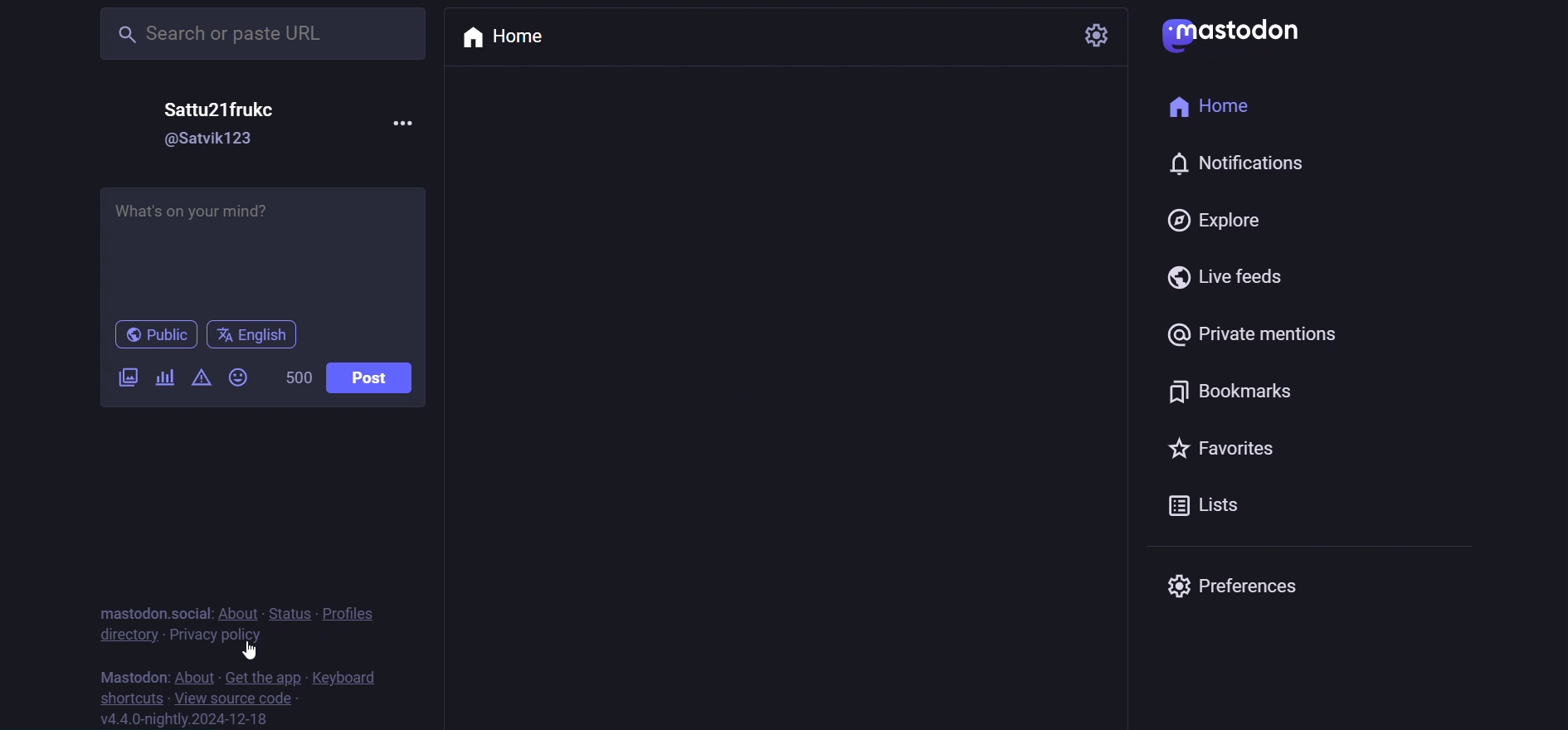 Image resolution: width=1568 pixels, height=730 pixels. I want to click on english, so click(255, 333).